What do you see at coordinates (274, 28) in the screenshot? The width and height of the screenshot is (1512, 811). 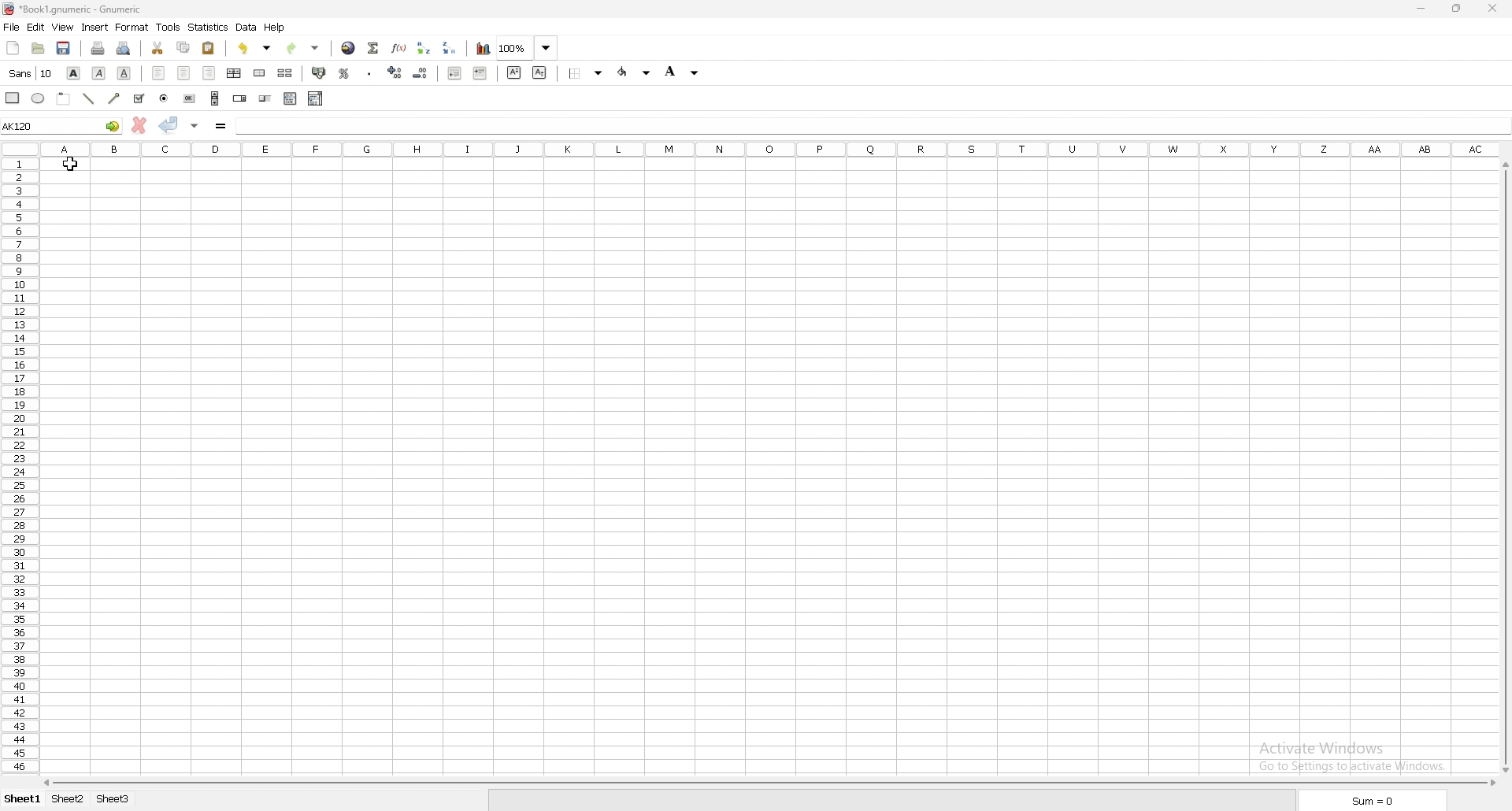 I see `help` at bounding box center [274, 28].